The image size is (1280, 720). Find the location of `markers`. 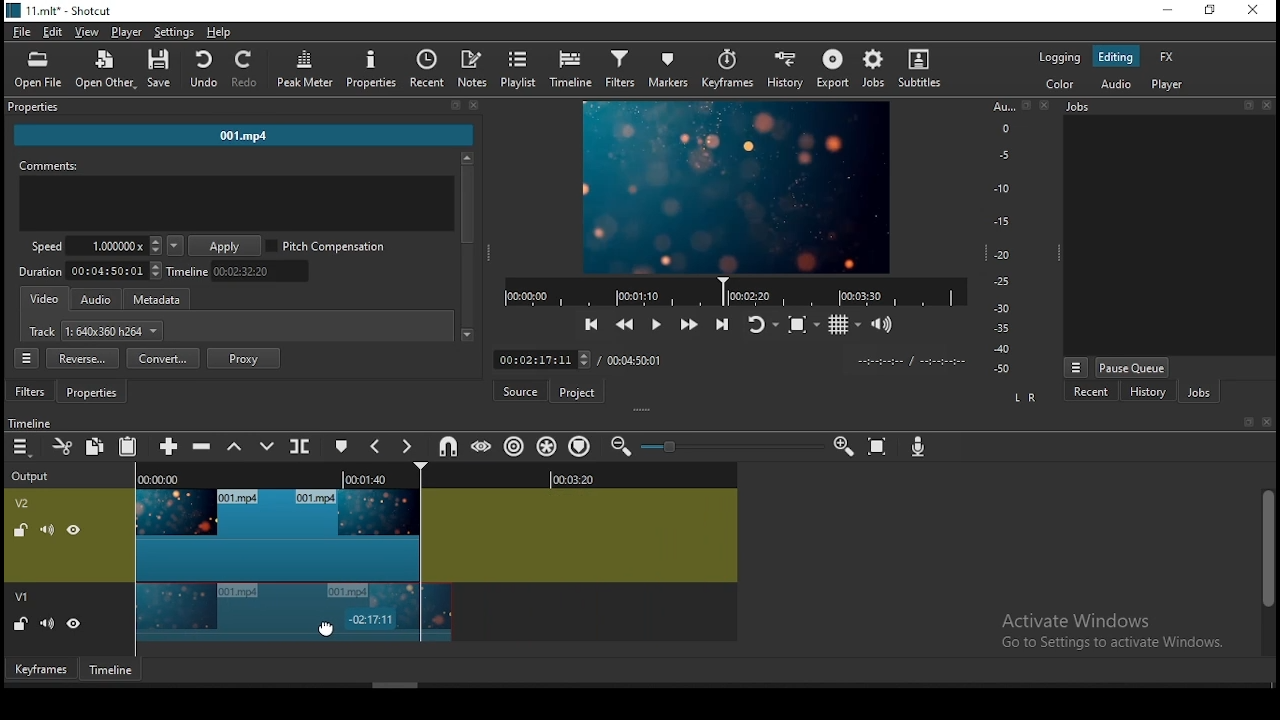

markers is located at coordinates (672, 70).